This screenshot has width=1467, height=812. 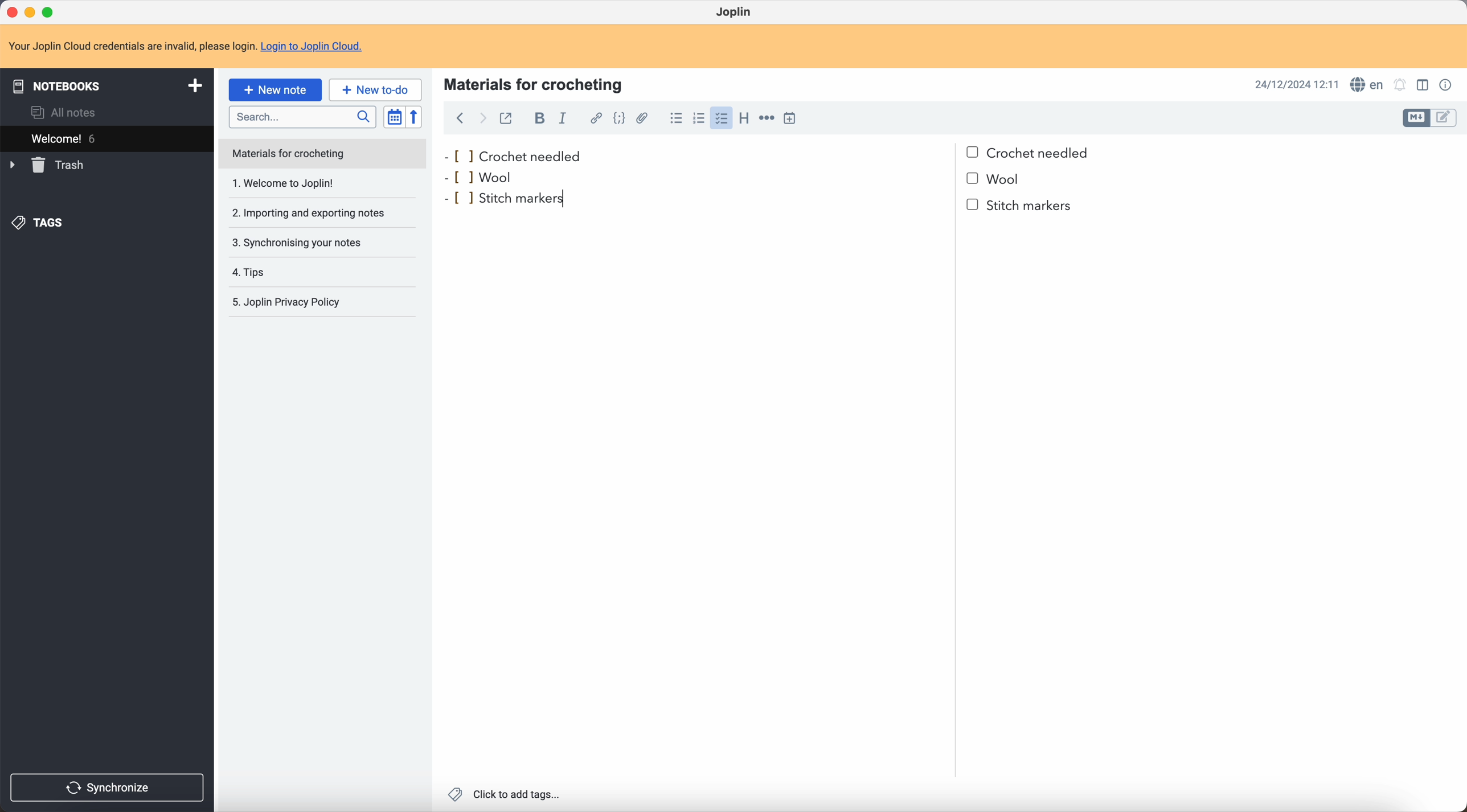 What do you see at coordinates (106, 137) in the screenshot?
I see `welcome` at bounding box center [106, 137].